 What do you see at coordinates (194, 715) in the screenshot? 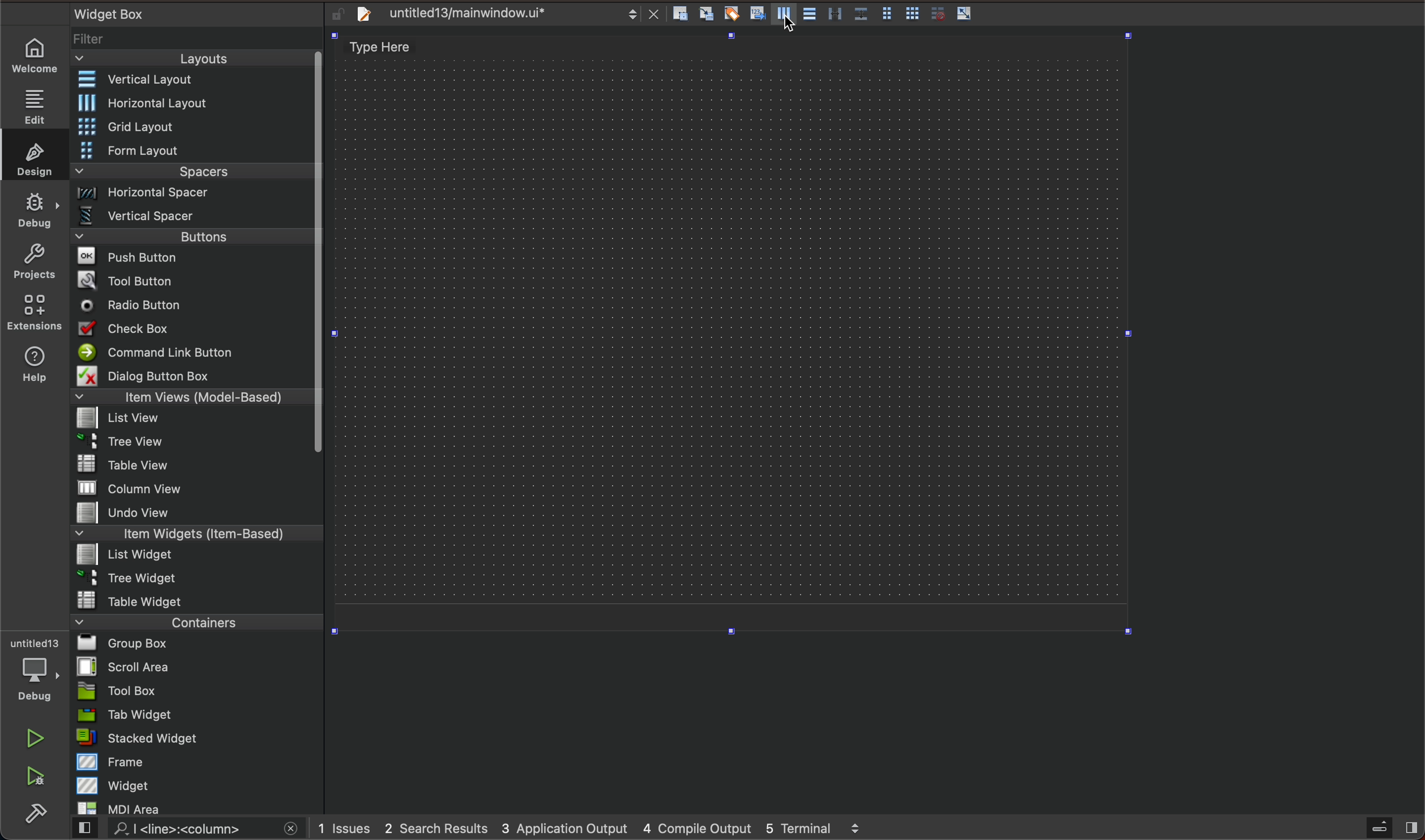
I see `tab widget` at bounding box center [194, 715].